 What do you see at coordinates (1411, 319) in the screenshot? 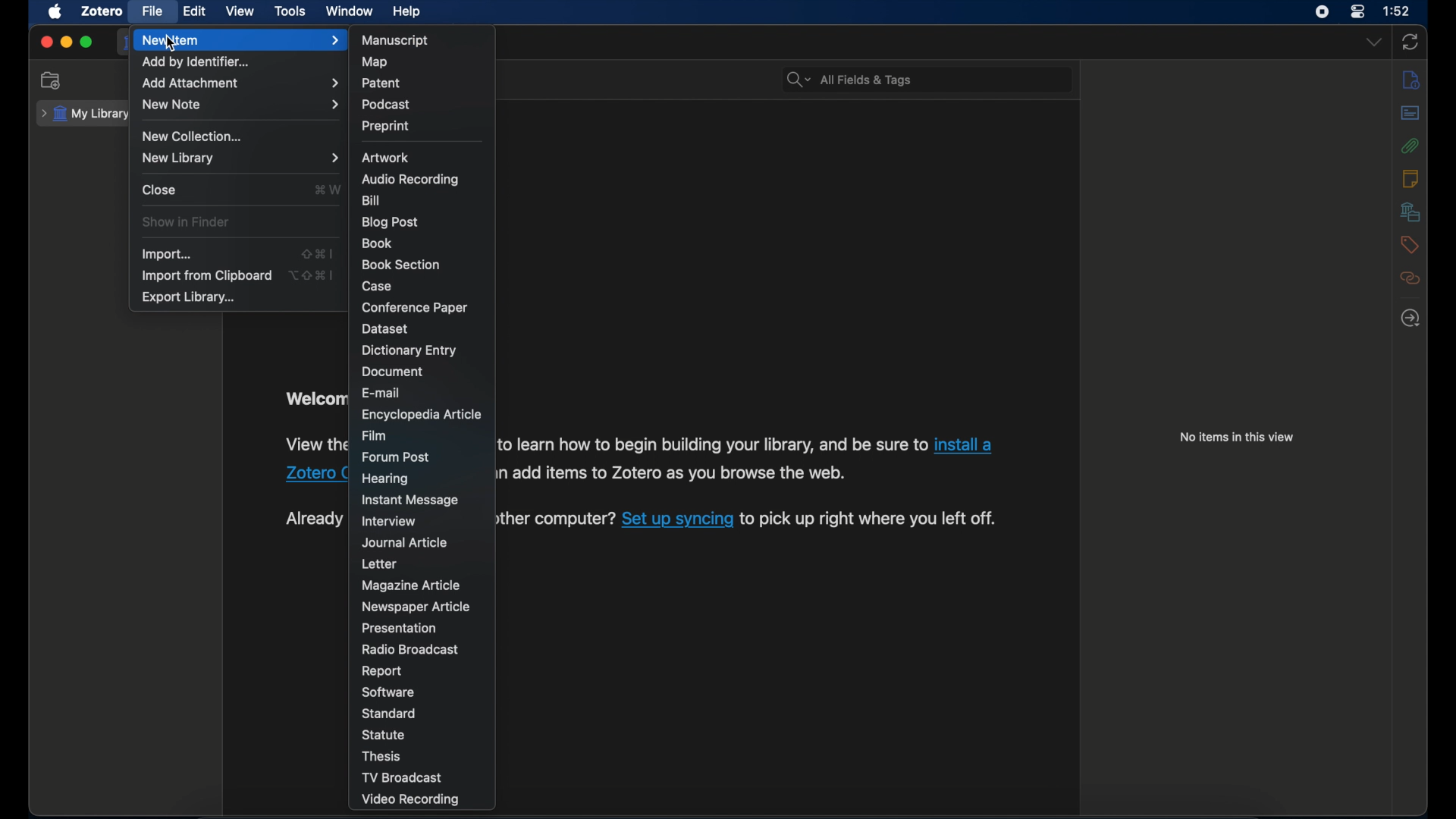
I see `locate` at bounding box center [1411, 319].